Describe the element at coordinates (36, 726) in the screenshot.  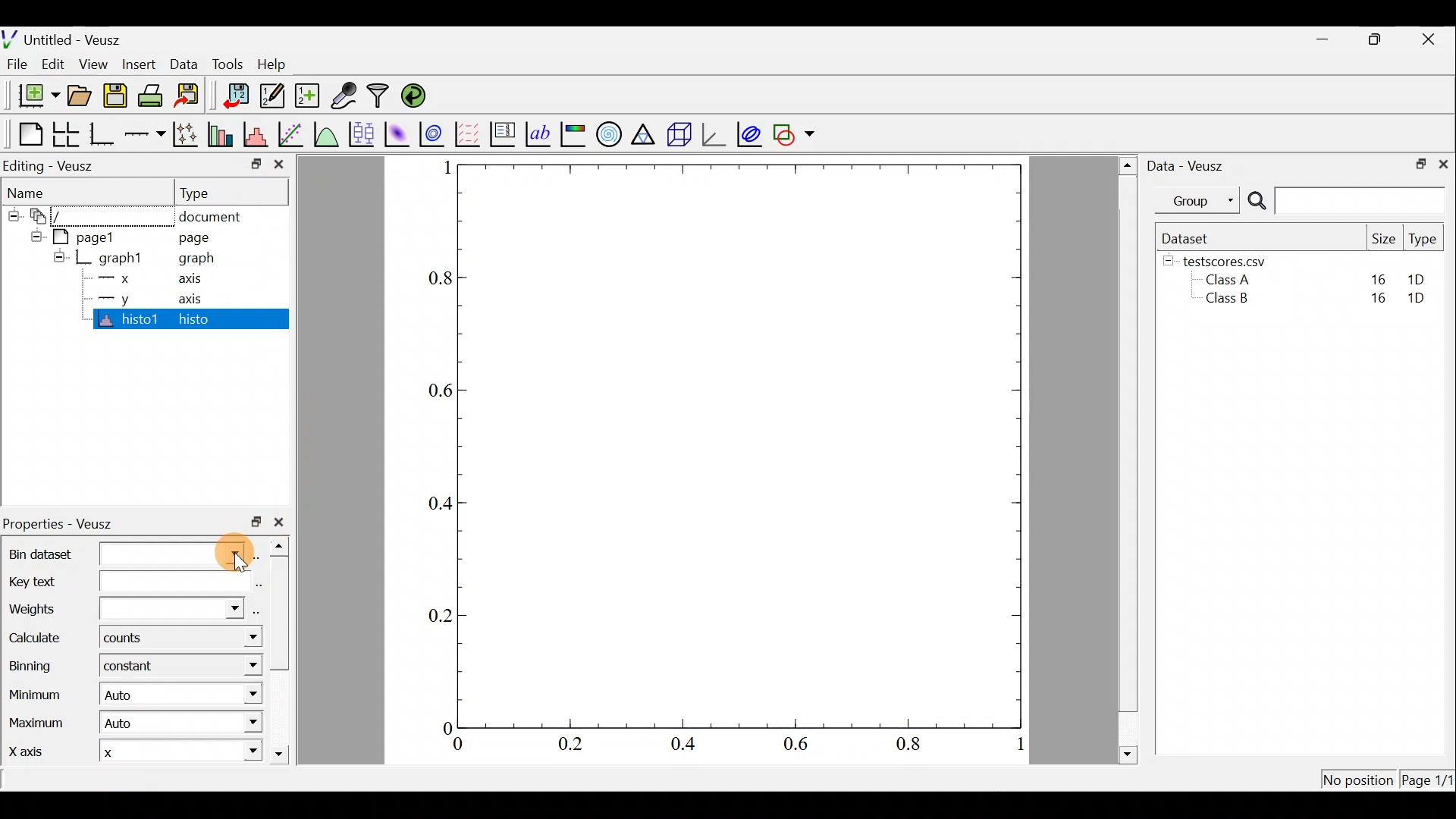
I see `Maximum` at that location.